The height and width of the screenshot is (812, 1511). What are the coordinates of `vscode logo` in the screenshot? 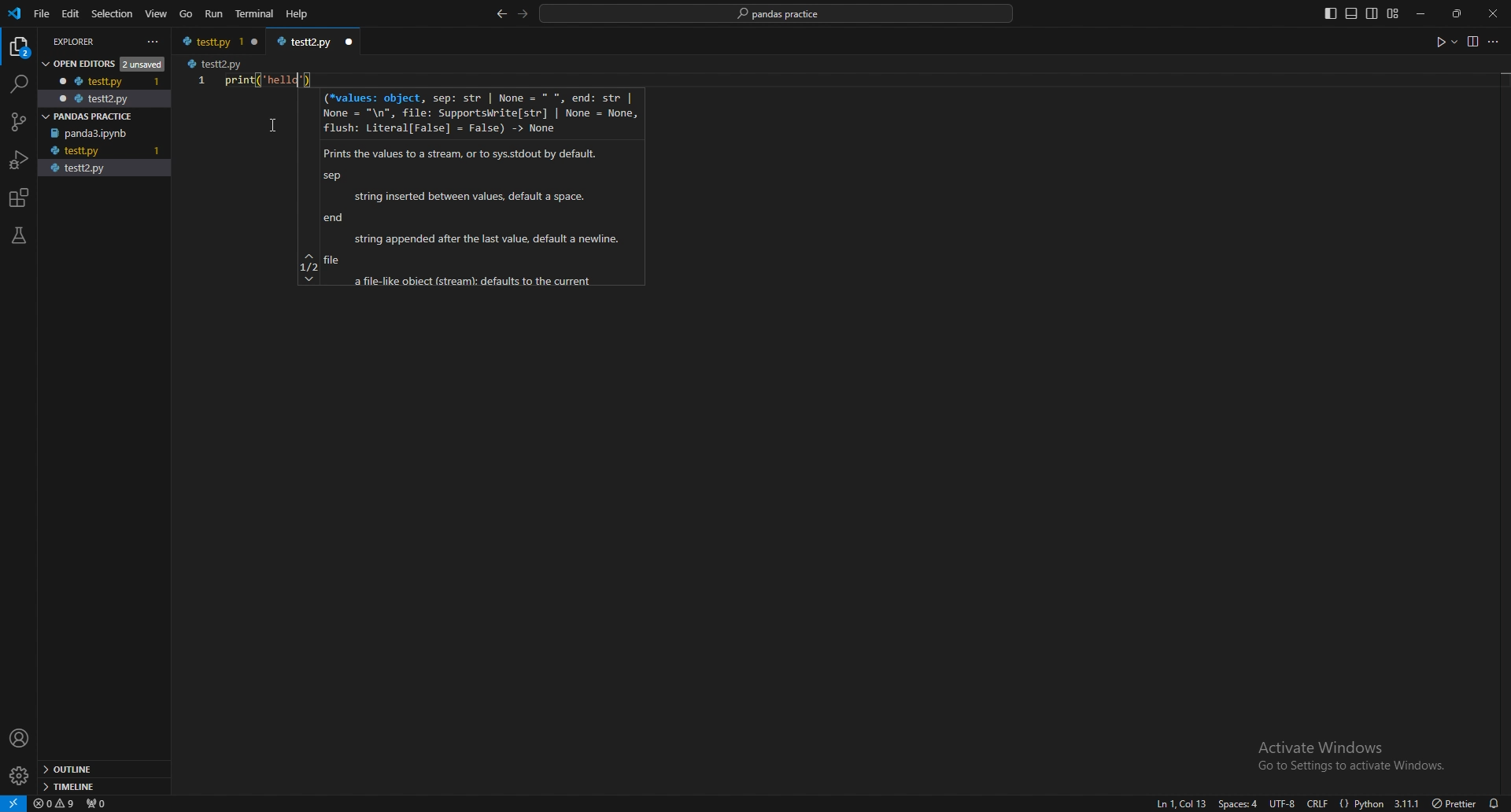 It's located at (14, 14).